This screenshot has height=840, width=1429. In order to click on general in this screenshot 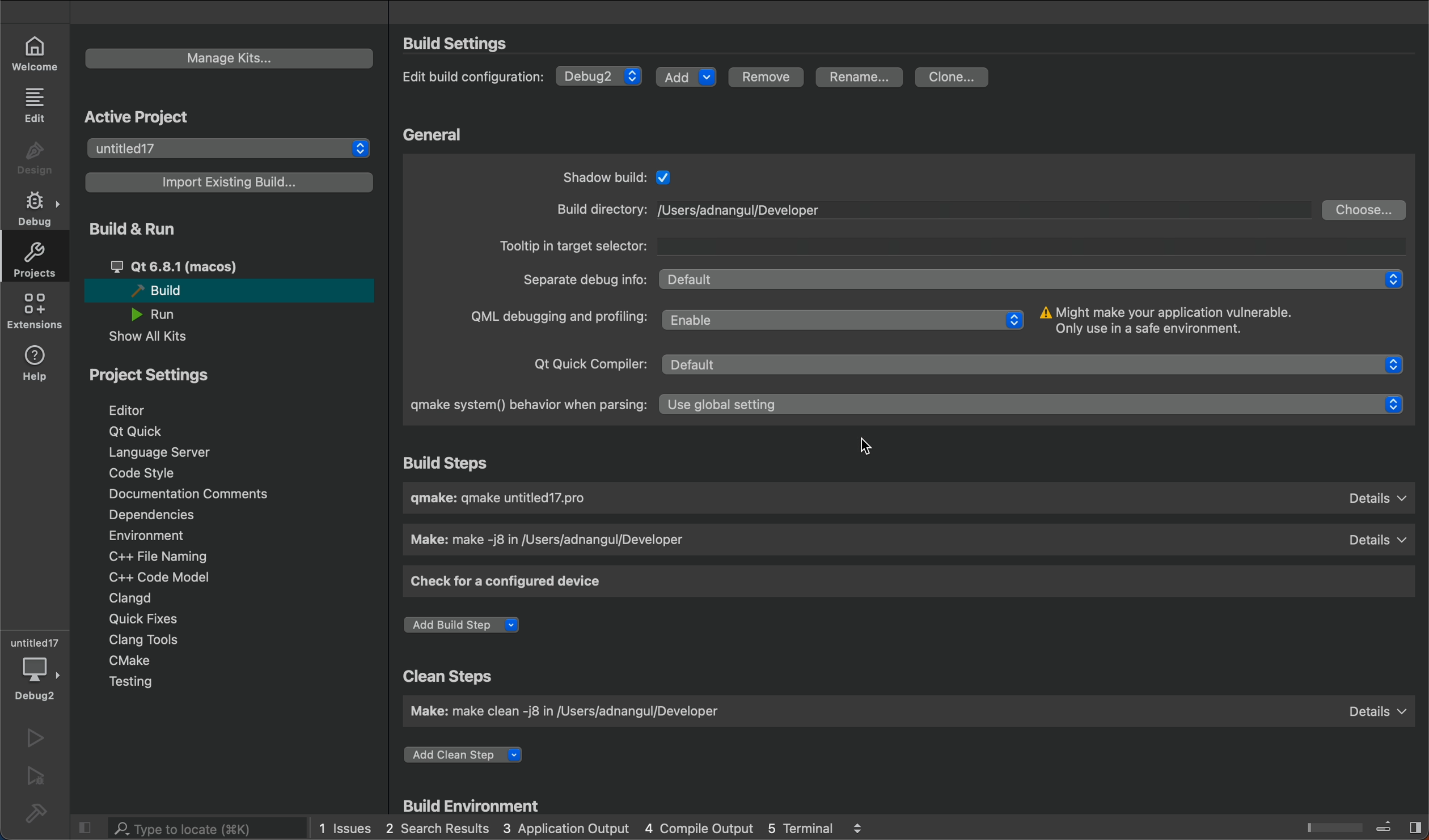, I will do `click(434, 133)`.